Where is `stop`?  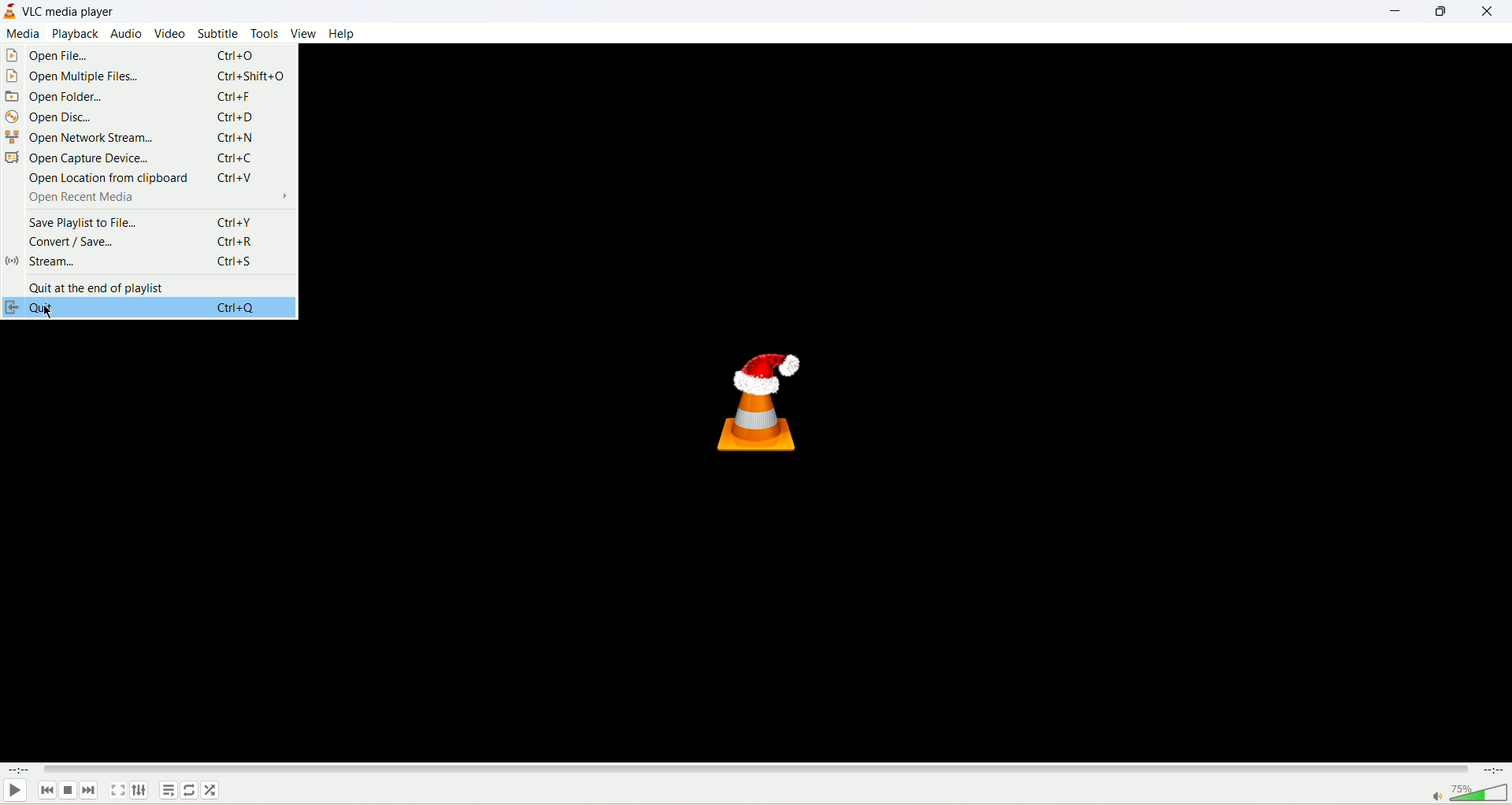 stop is located at coordinates (69, 792).